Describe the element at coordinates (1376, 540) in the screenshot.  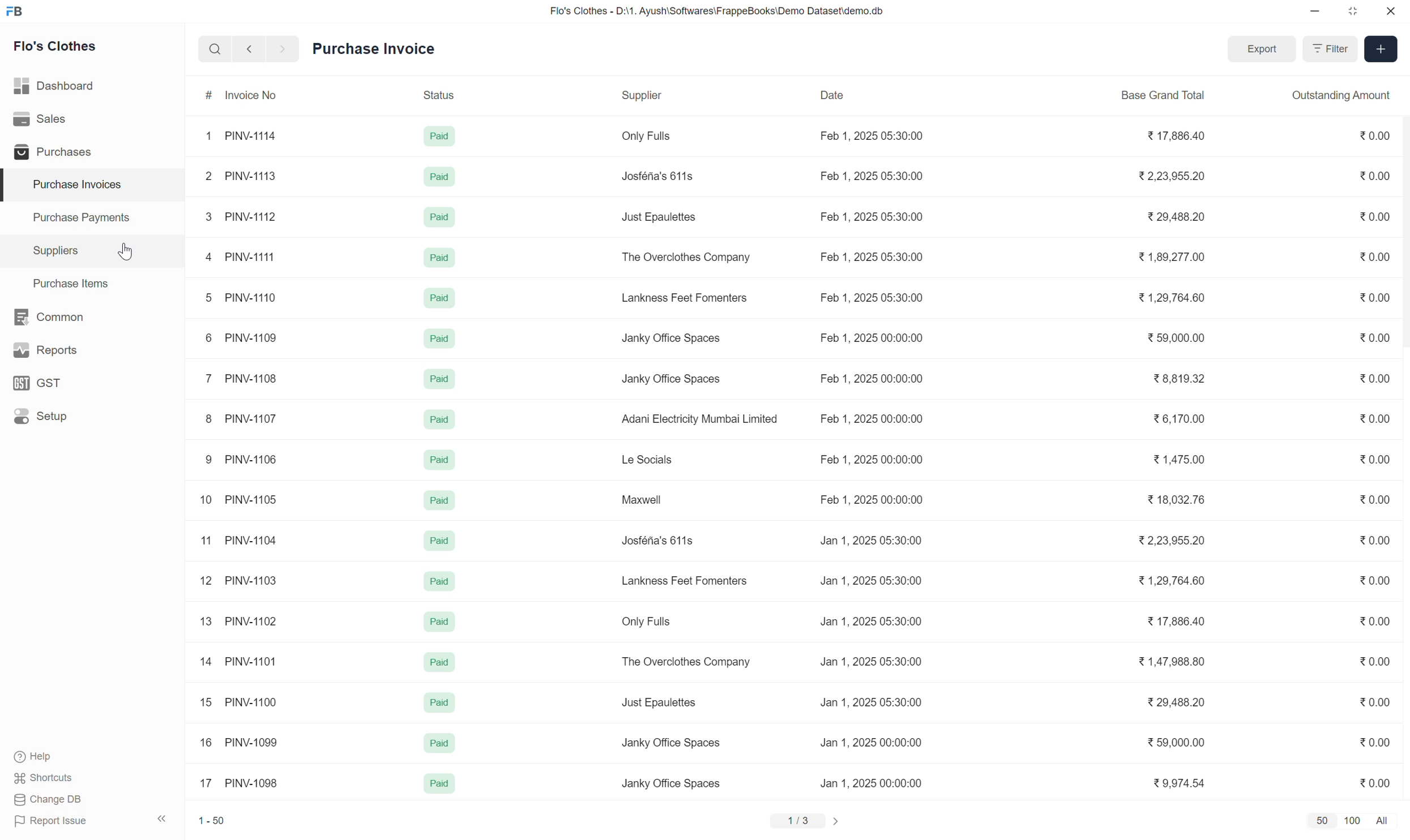
I see `0.00` at that location.